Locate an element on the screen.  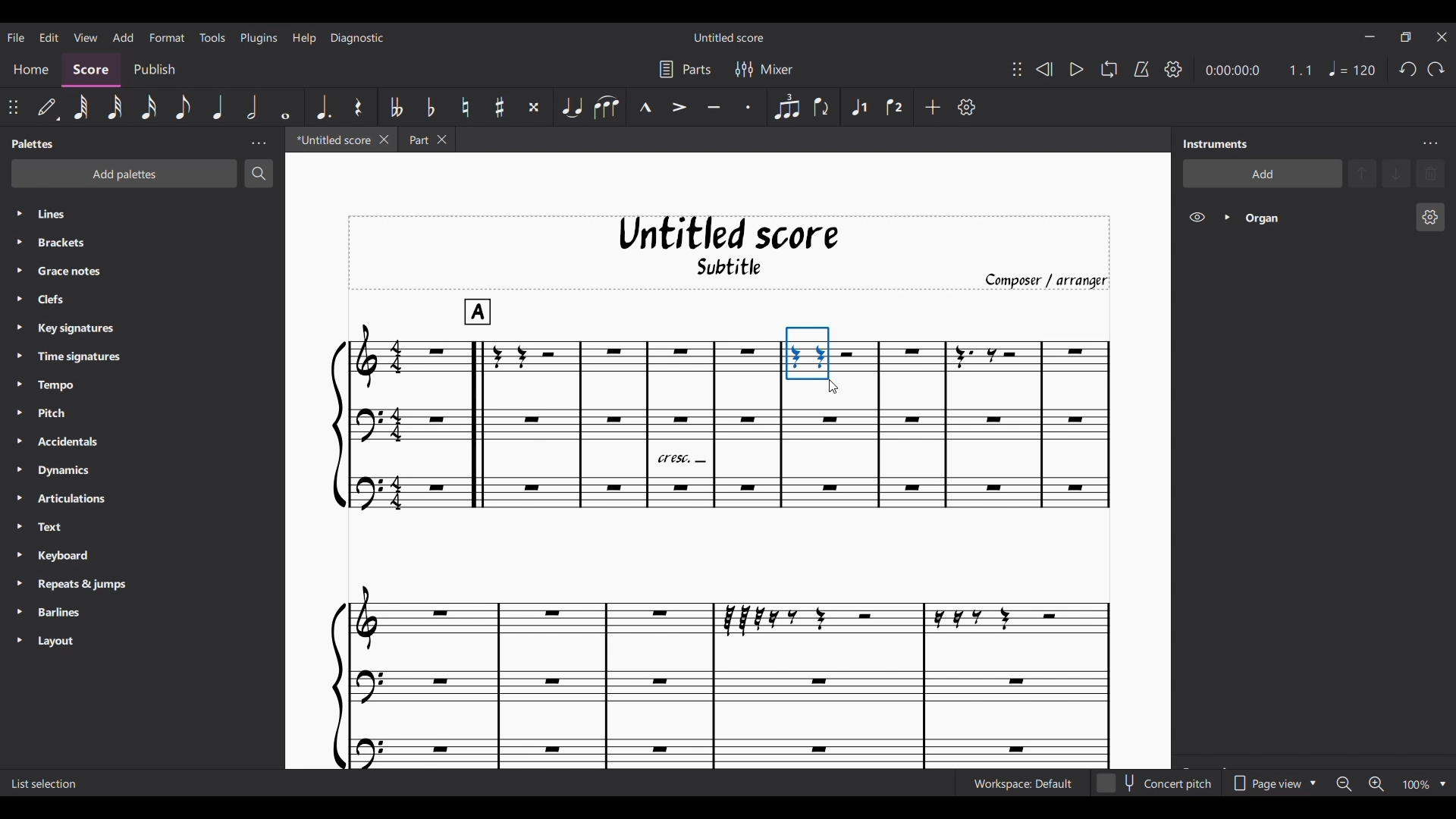
View menu is located at coordinates (86, 36).